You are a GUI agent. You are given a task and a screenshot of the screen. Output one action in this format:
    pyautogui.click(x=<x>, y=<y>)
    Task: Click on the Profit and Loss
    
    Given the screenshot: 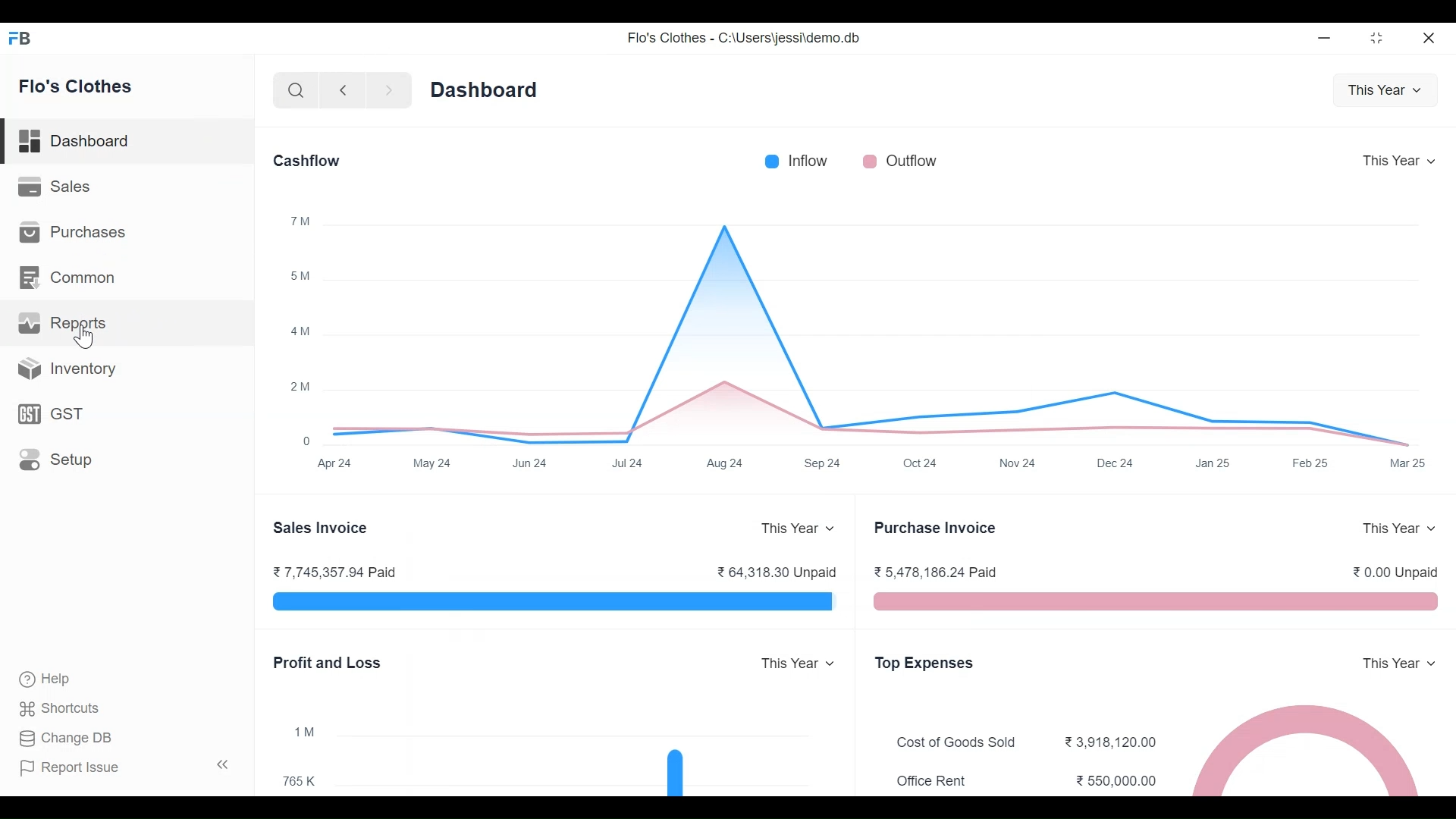 What is the action you would take?
    pyautogui.click(x=331, y=664)
    